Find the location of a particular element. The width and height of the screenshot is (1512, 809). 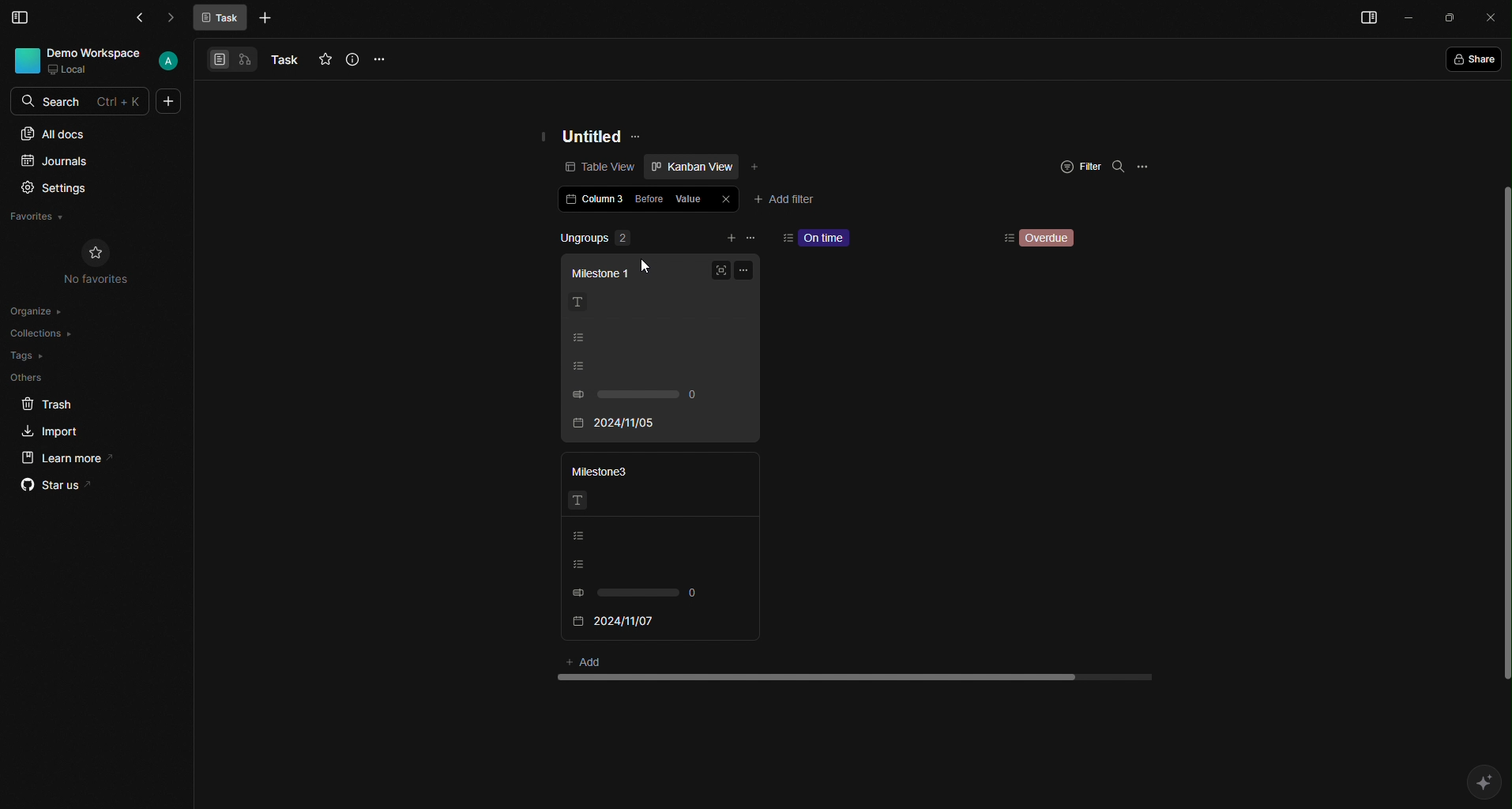

Organize is located at coordinates (41, 310).